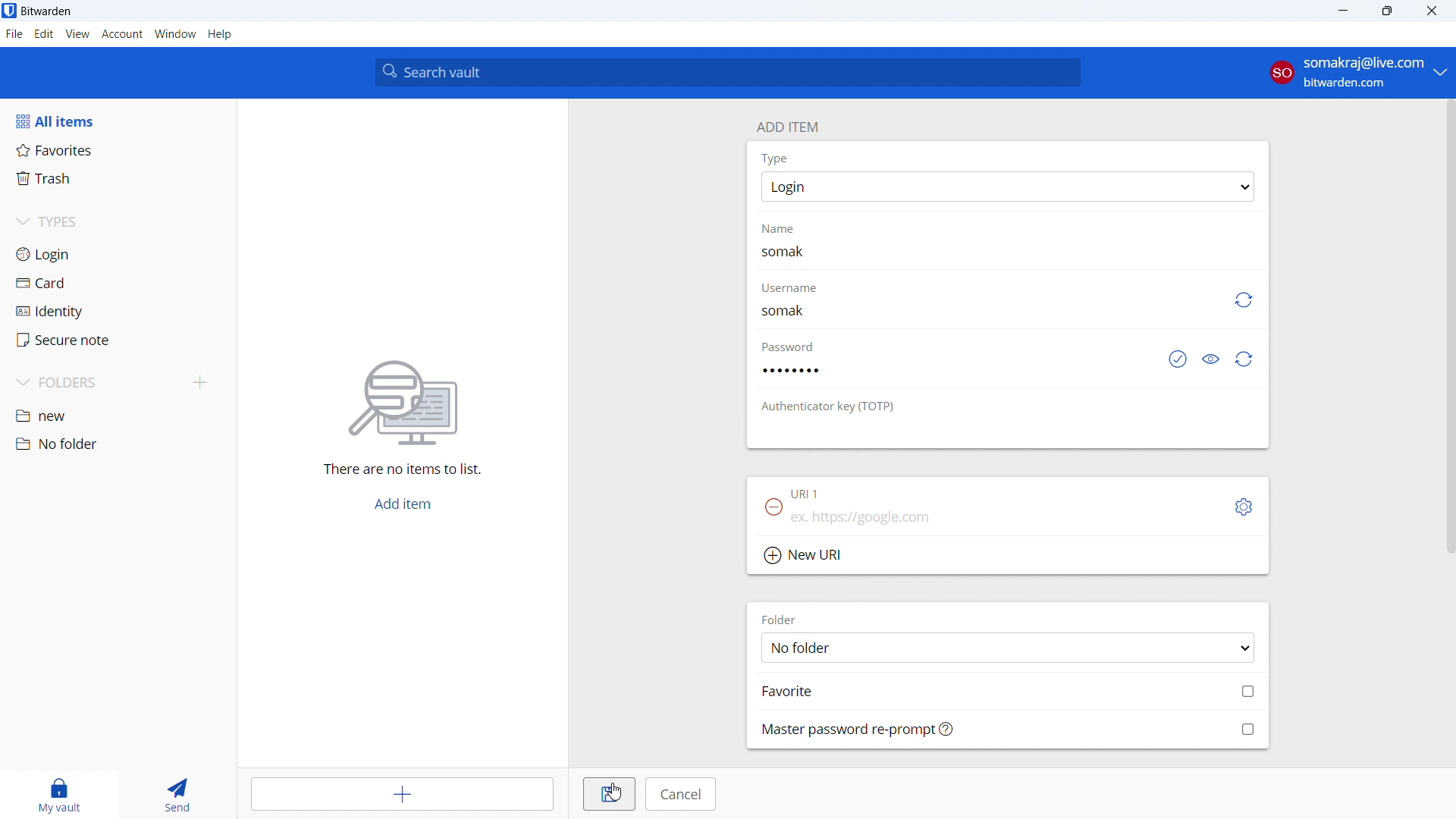  What do you see at coordinates (402, 403) in the screenshot?
I see `searching for file vector icon` at bounding box center [402, 403].